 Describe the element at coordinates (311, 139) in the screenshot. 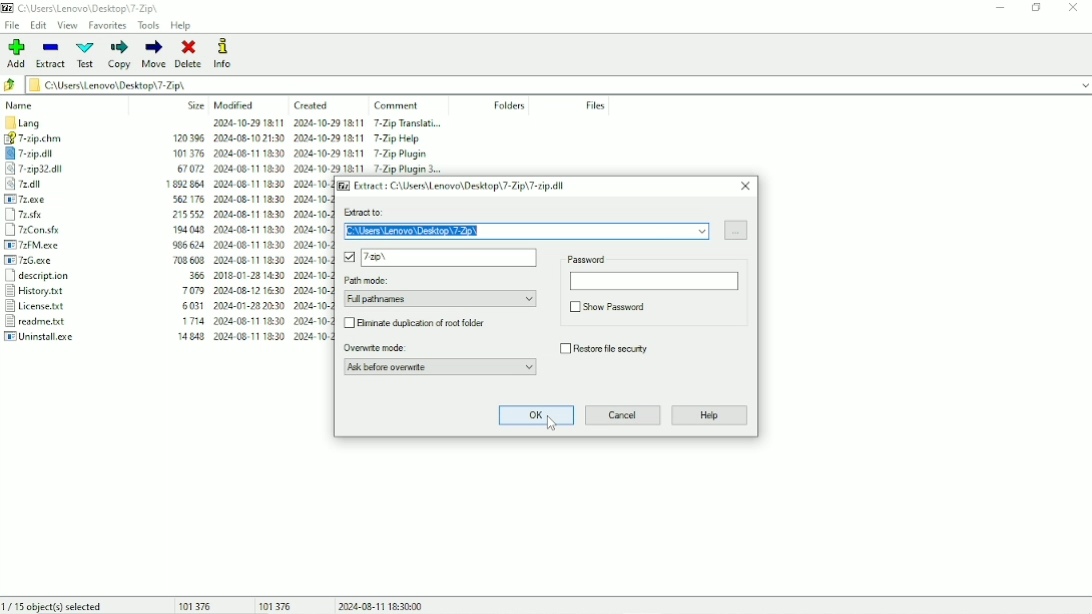

I see `100 ANGCR-102:0 ANN 181 T-hpHep` at that location.